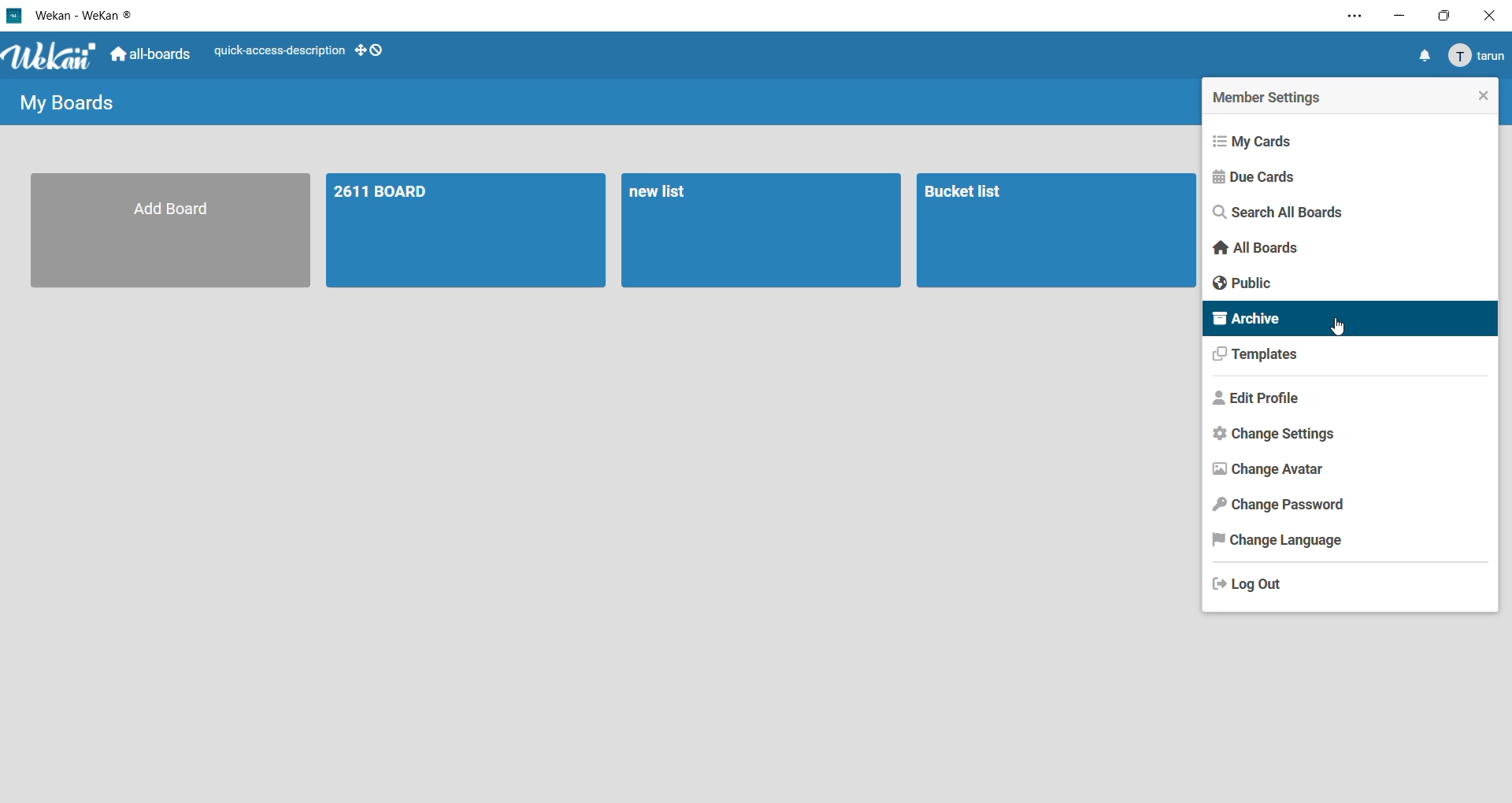 The width and height of the screenshot is (1512, 803). Describe the element at coordinates (150, 54) in the screenshot. I see `all boards` at that location.